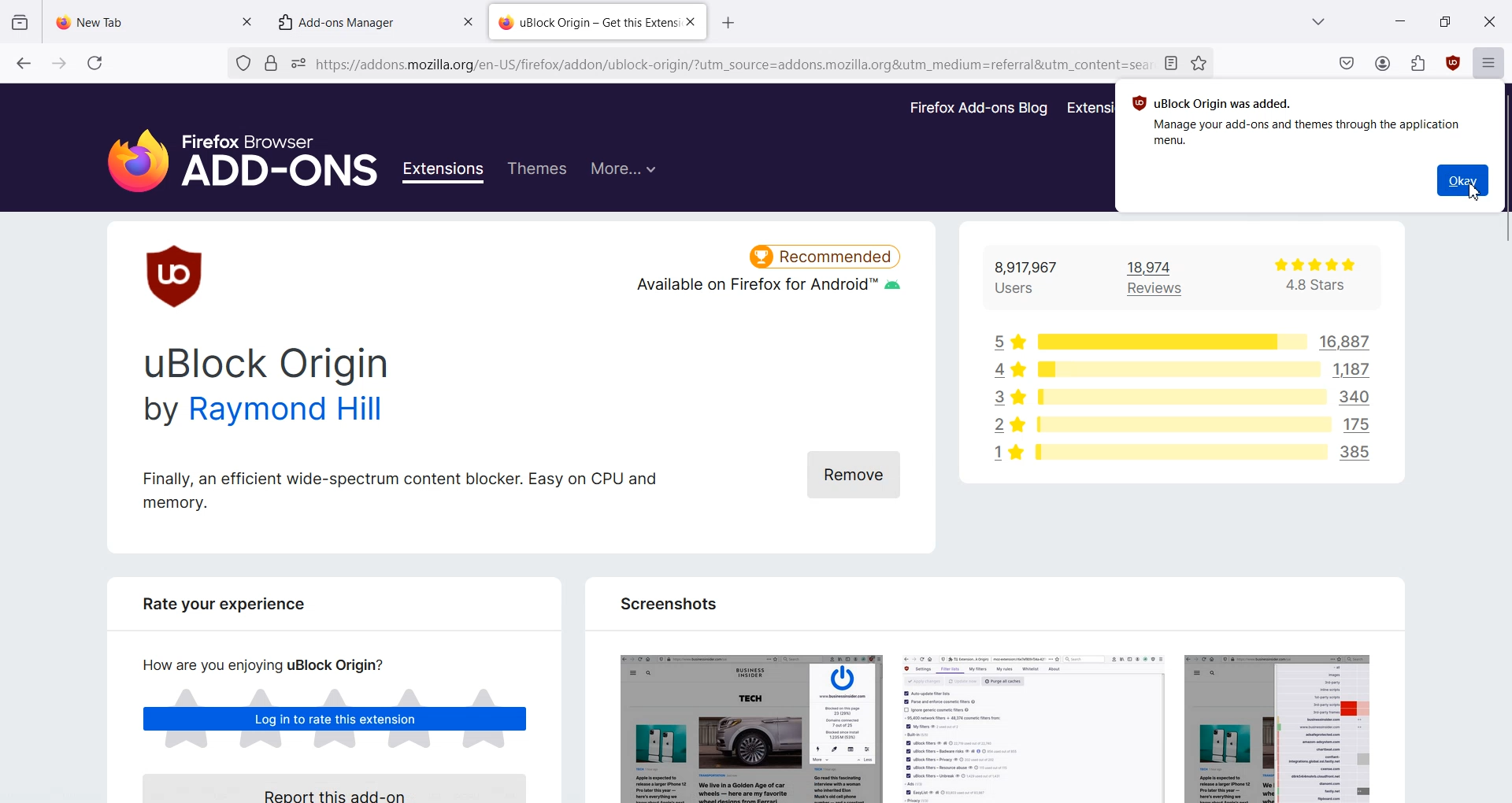 Image resolution: width=1512 pixels, height=803 pixels. What do you see at coordinates (1314, 135) in the screenshot?
I see `Manage your add-ons and themes through the application menu.` at bounding box center [1314, 135].